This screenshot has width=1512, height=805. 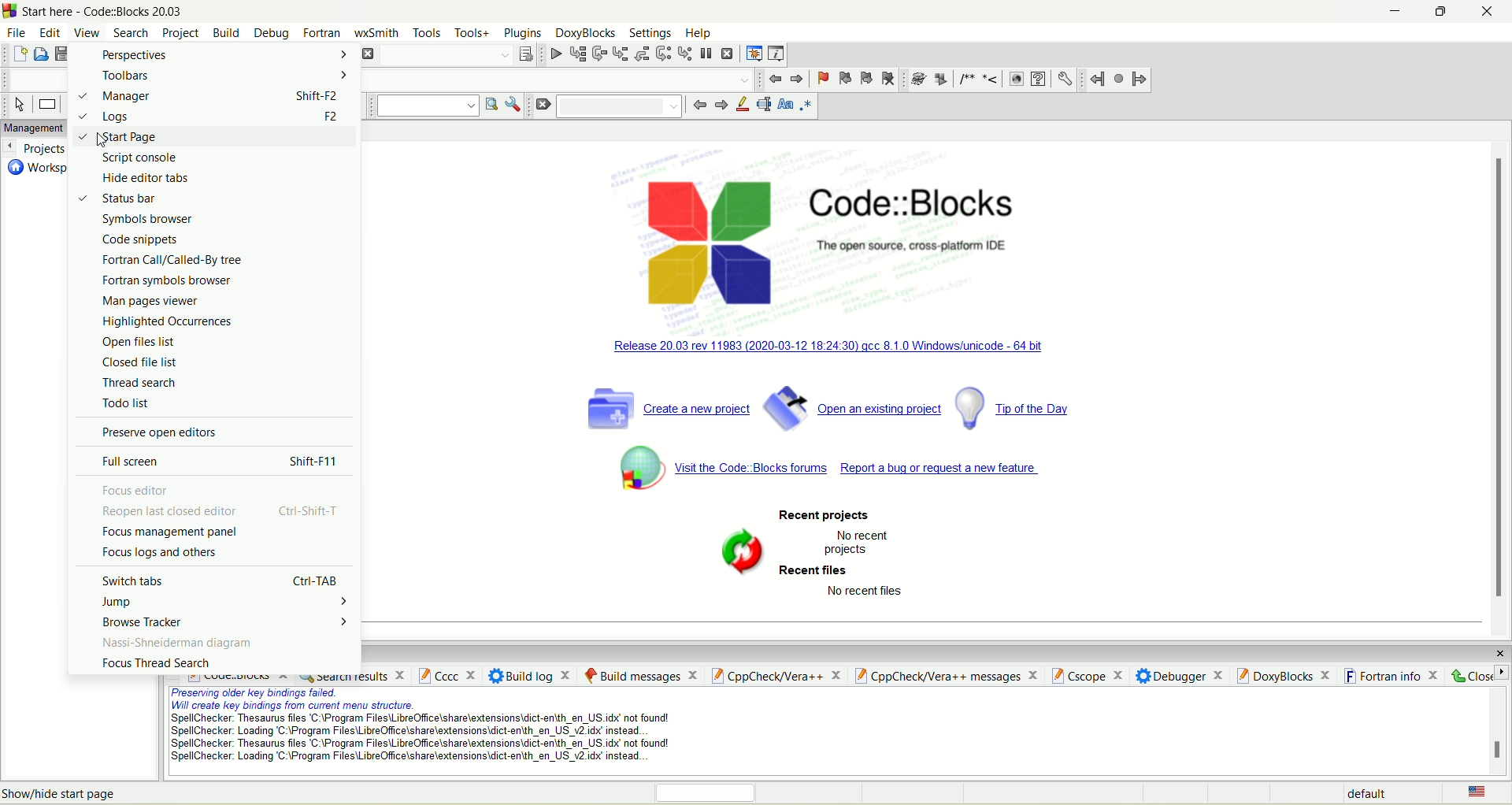 What do you see at coordinates (1137, 80) in the screenshot?
I see `jump forward` at bounding box center [1137, 80].